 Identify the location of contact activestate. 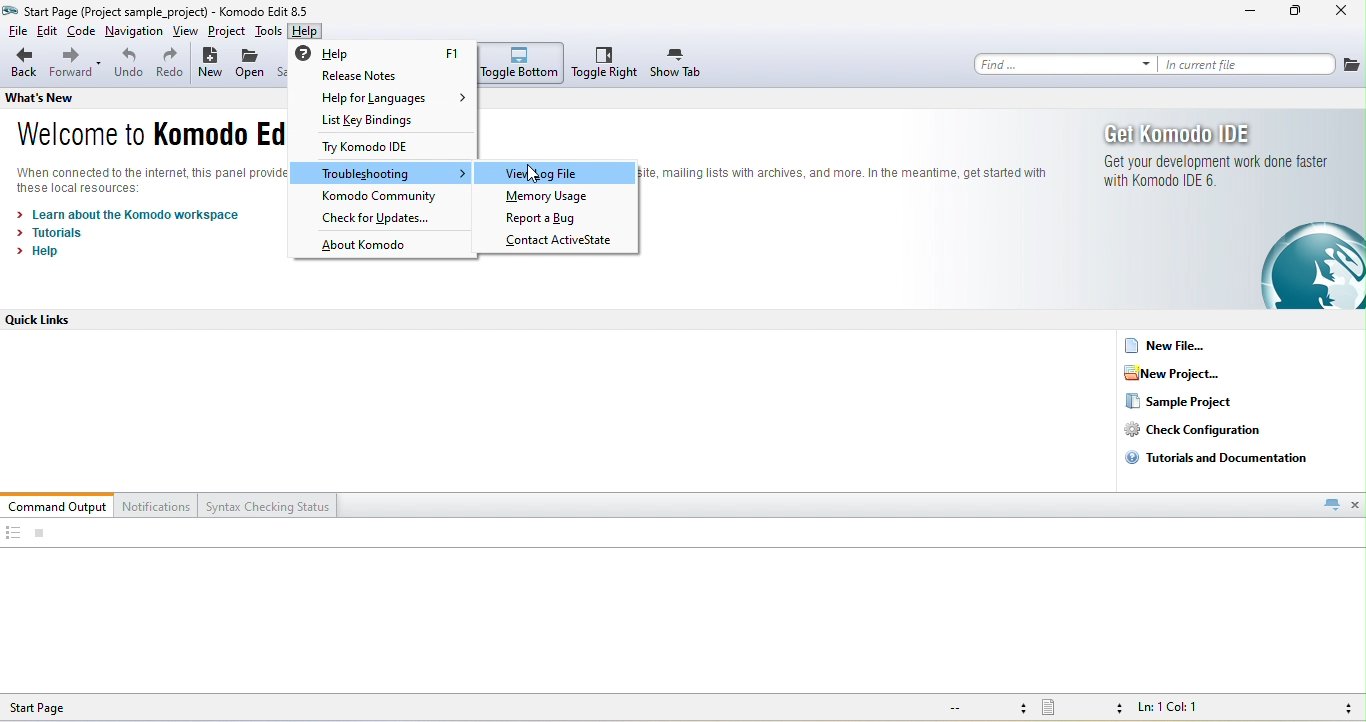
(562, 241).